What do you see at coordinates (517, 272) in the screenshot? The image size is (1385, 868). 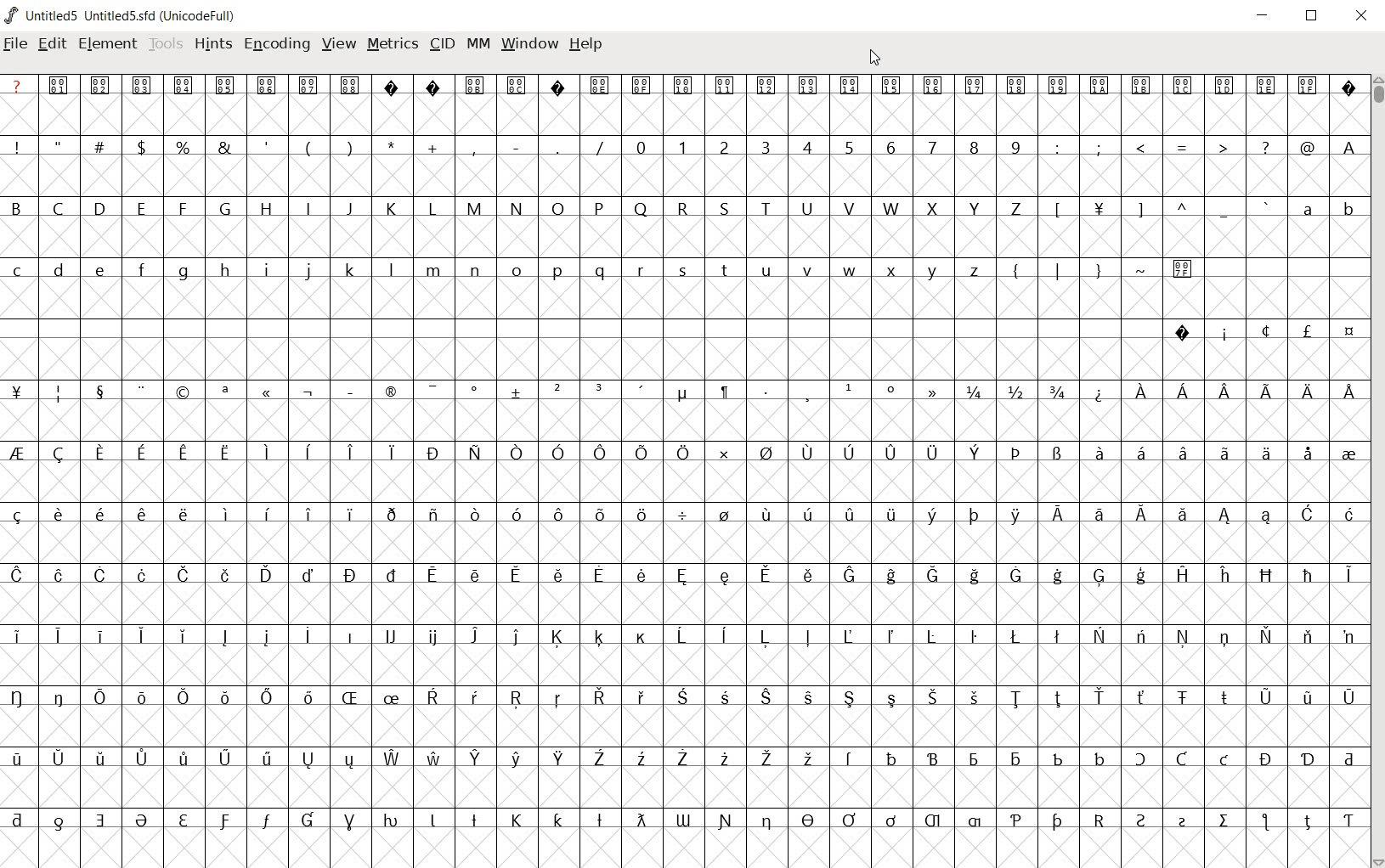 I see `o` at bounding box center [517, 272].